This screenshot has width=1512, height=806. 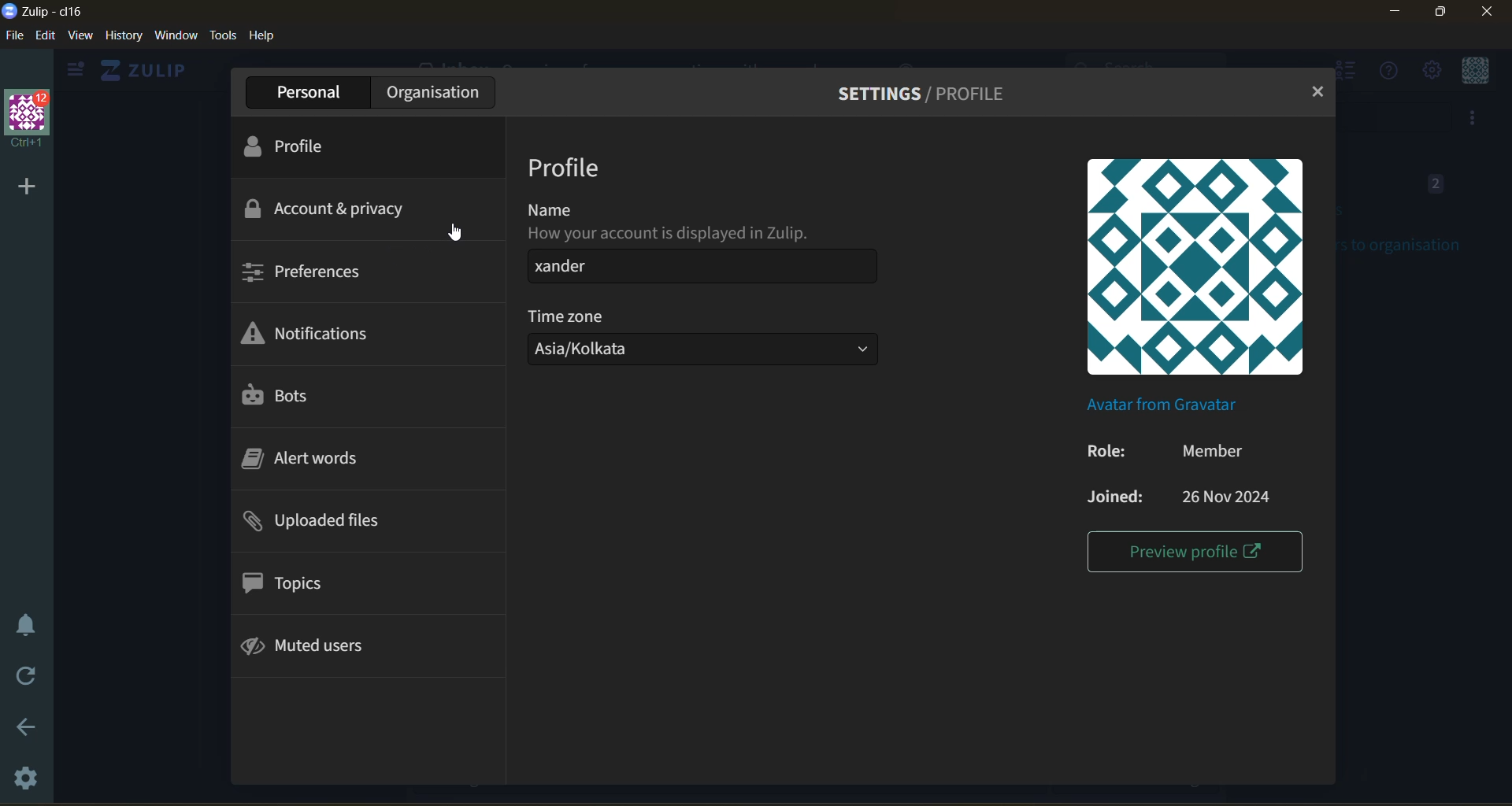 I want to click on close tab, so click(x=1314, y=92).